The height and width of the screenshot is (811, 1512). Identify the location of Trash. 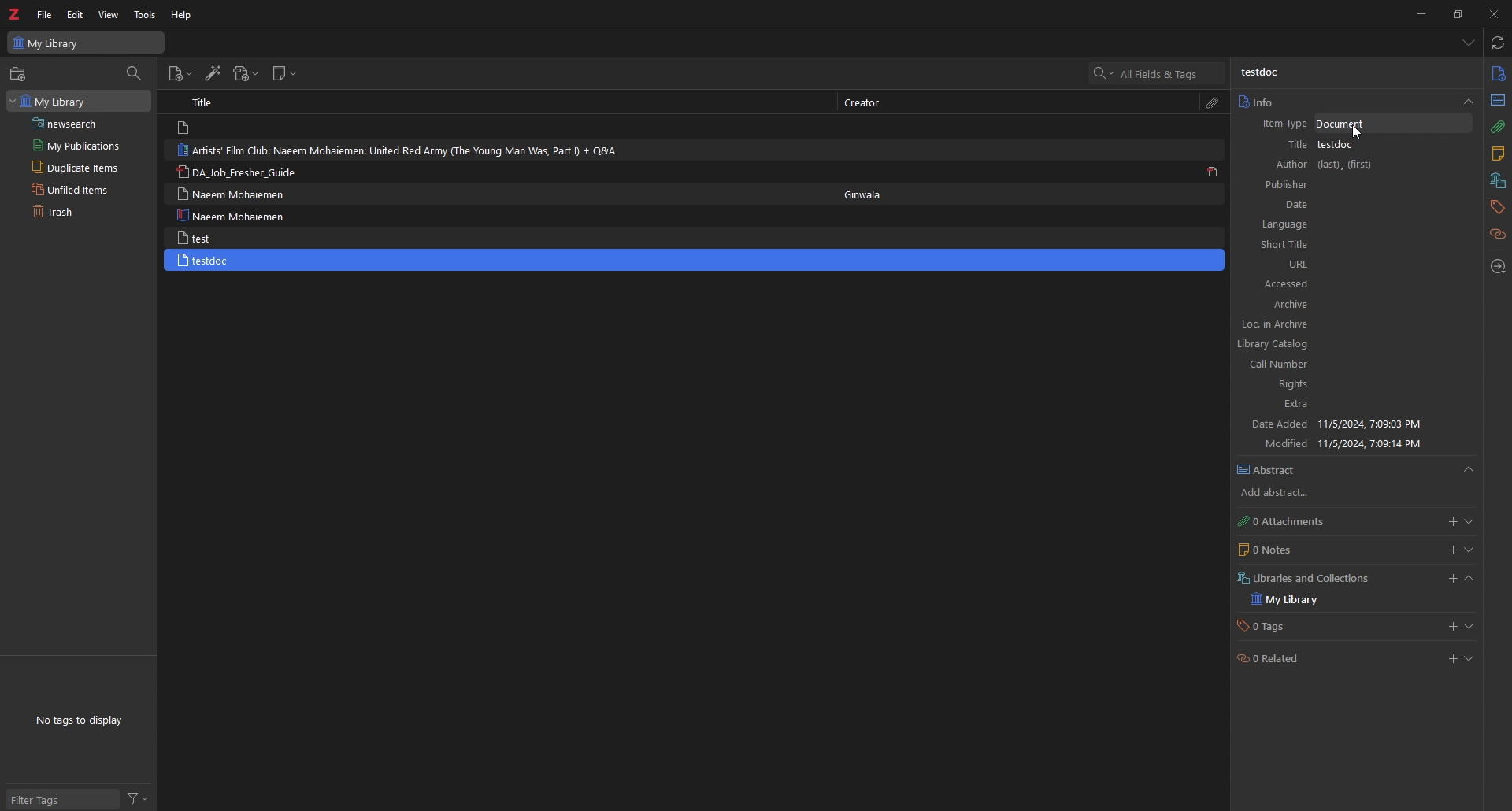
(77, 212).